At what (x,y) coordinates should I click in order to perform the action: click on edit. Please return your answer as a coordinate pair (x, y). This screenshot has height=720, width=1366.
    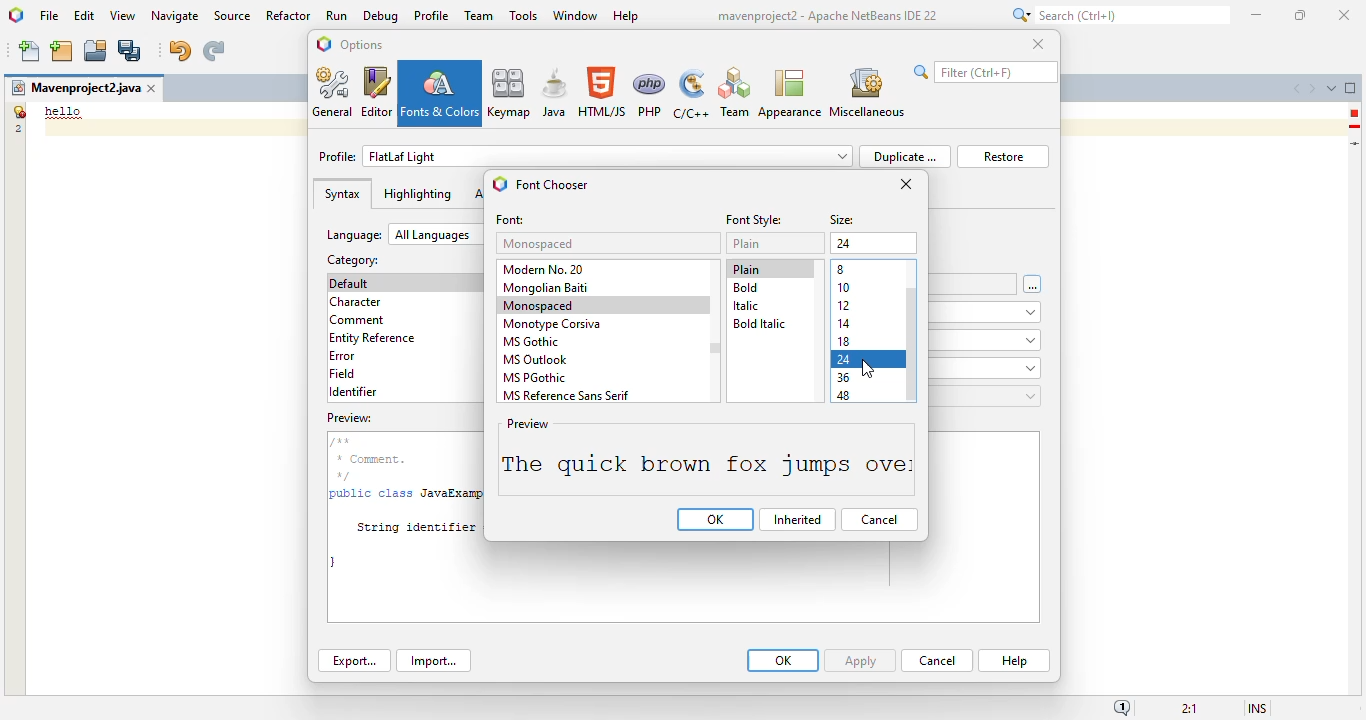
    Looking at the image, I should click on (85, 15).